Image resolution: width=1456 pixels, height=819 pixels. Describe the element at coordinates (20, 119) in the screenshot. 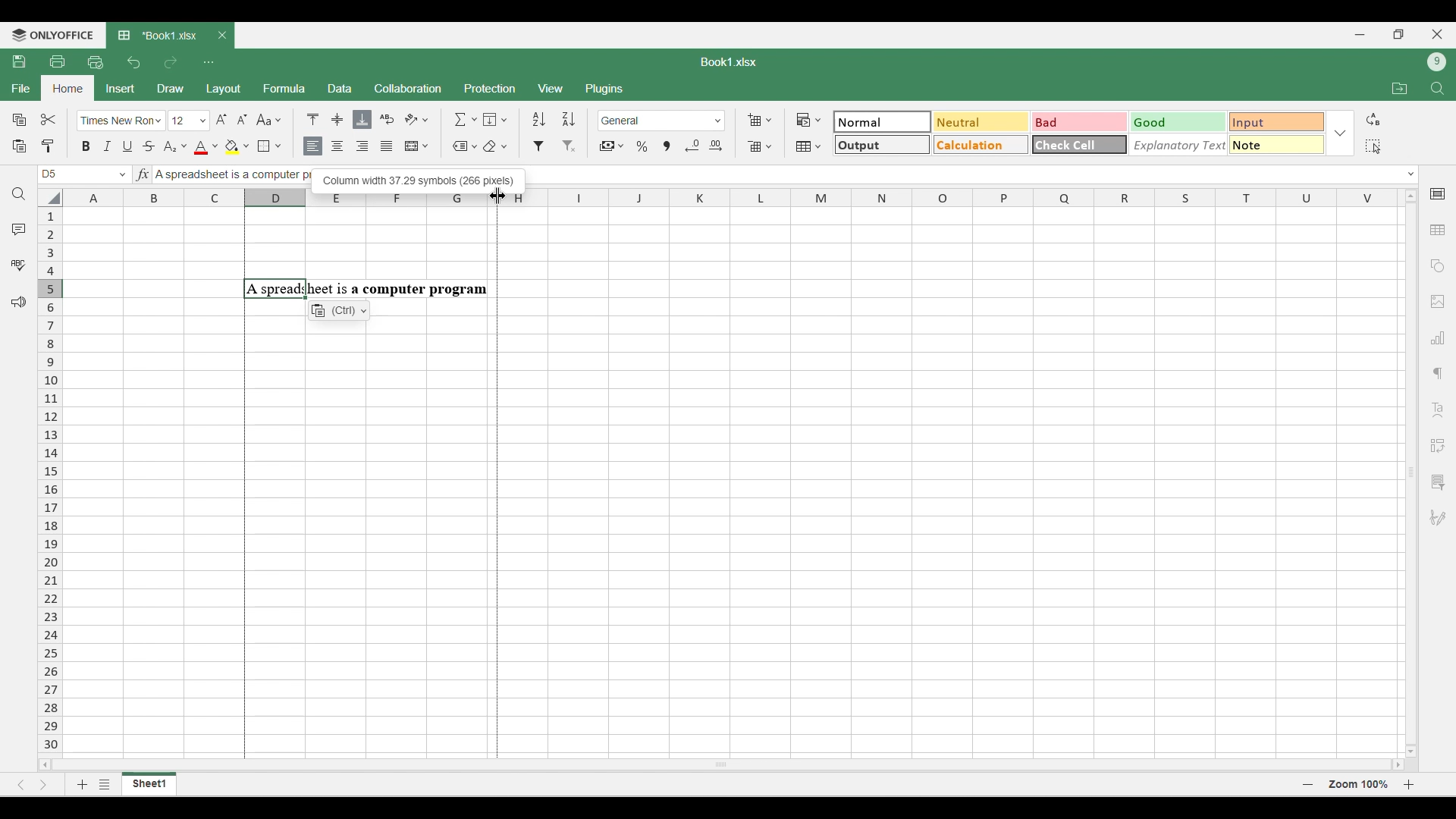

I see `Copy` at that location.